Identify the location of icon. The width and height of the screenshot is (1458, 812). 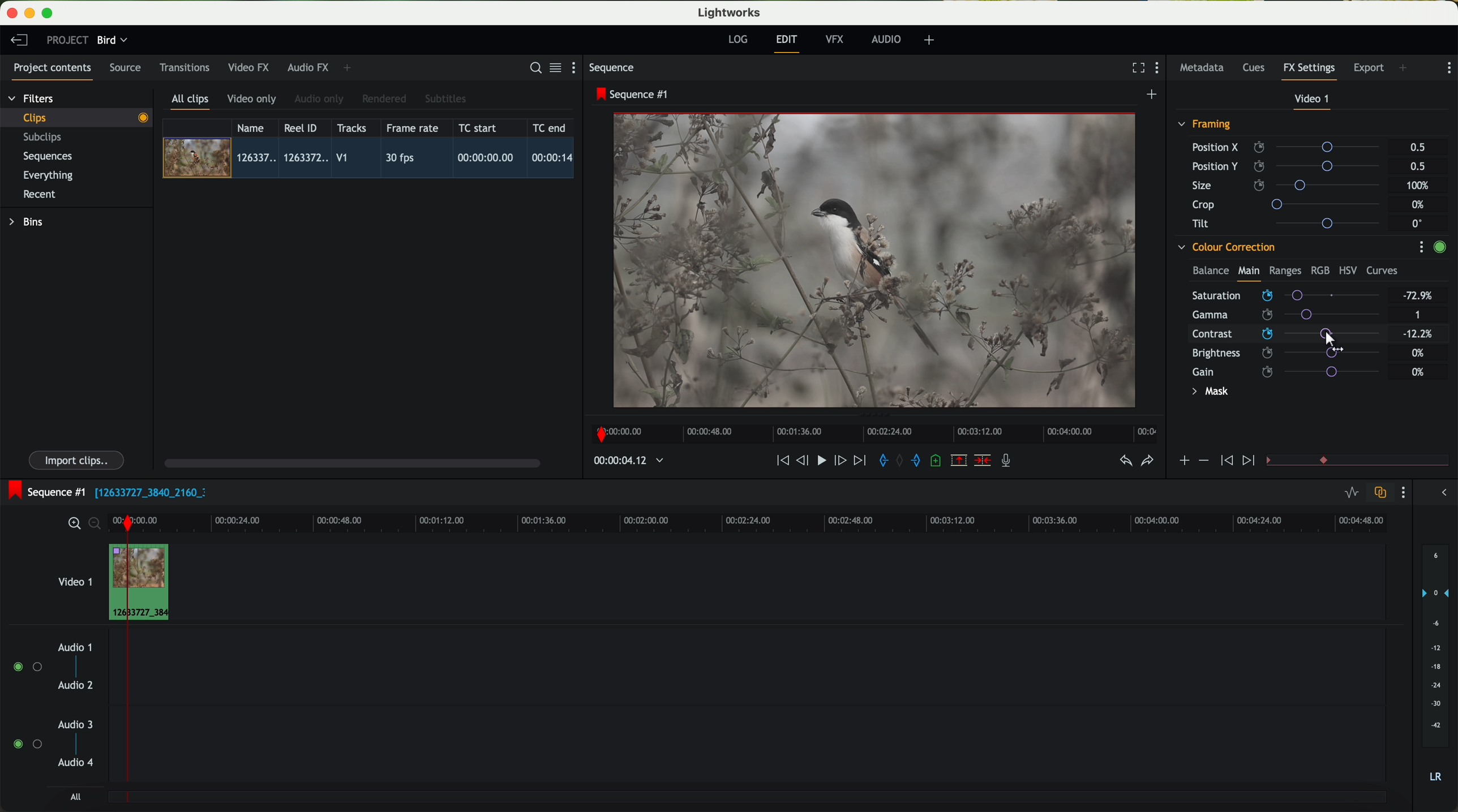
(1250, 461).